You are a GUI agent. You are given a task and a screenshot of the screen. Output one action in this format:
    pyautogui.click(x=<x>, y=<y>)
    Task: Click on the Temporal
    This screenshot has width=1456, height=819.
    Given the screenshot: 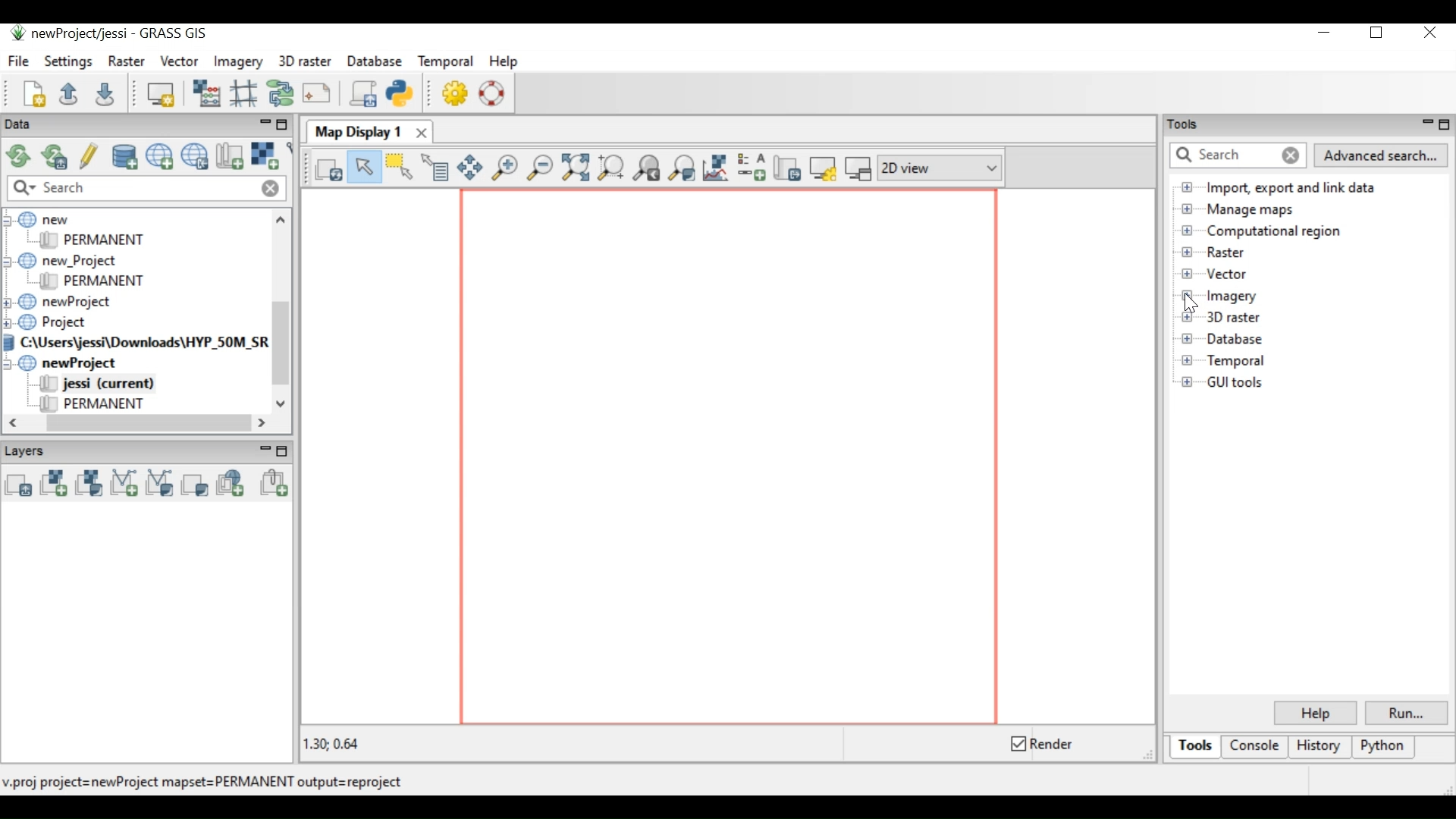 What is the action you would take?
    pyautogui.click(x=1222, y=362)
    